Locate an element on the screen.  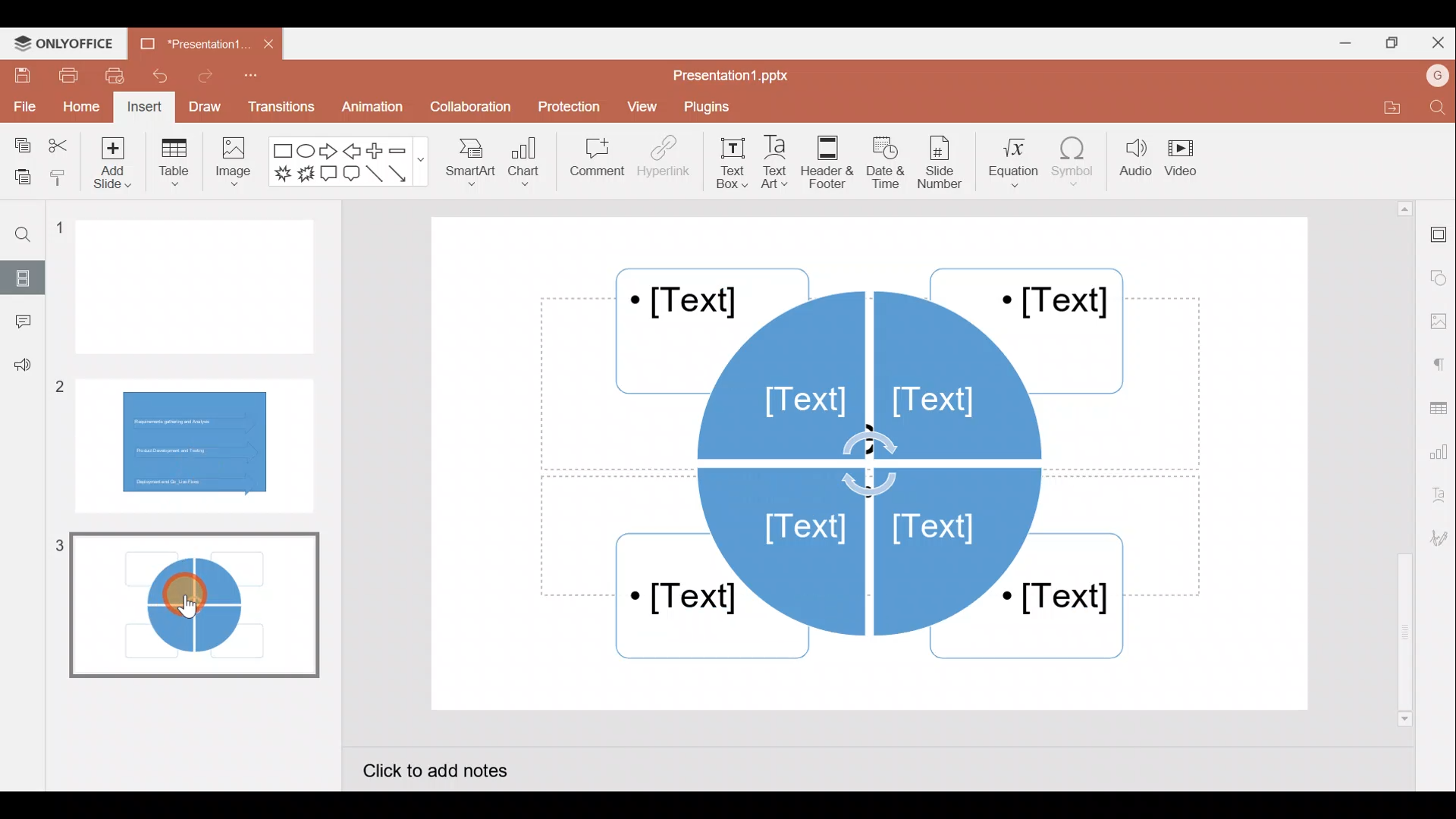
Cursor on slide 3 is located at coordinates (183, 595).